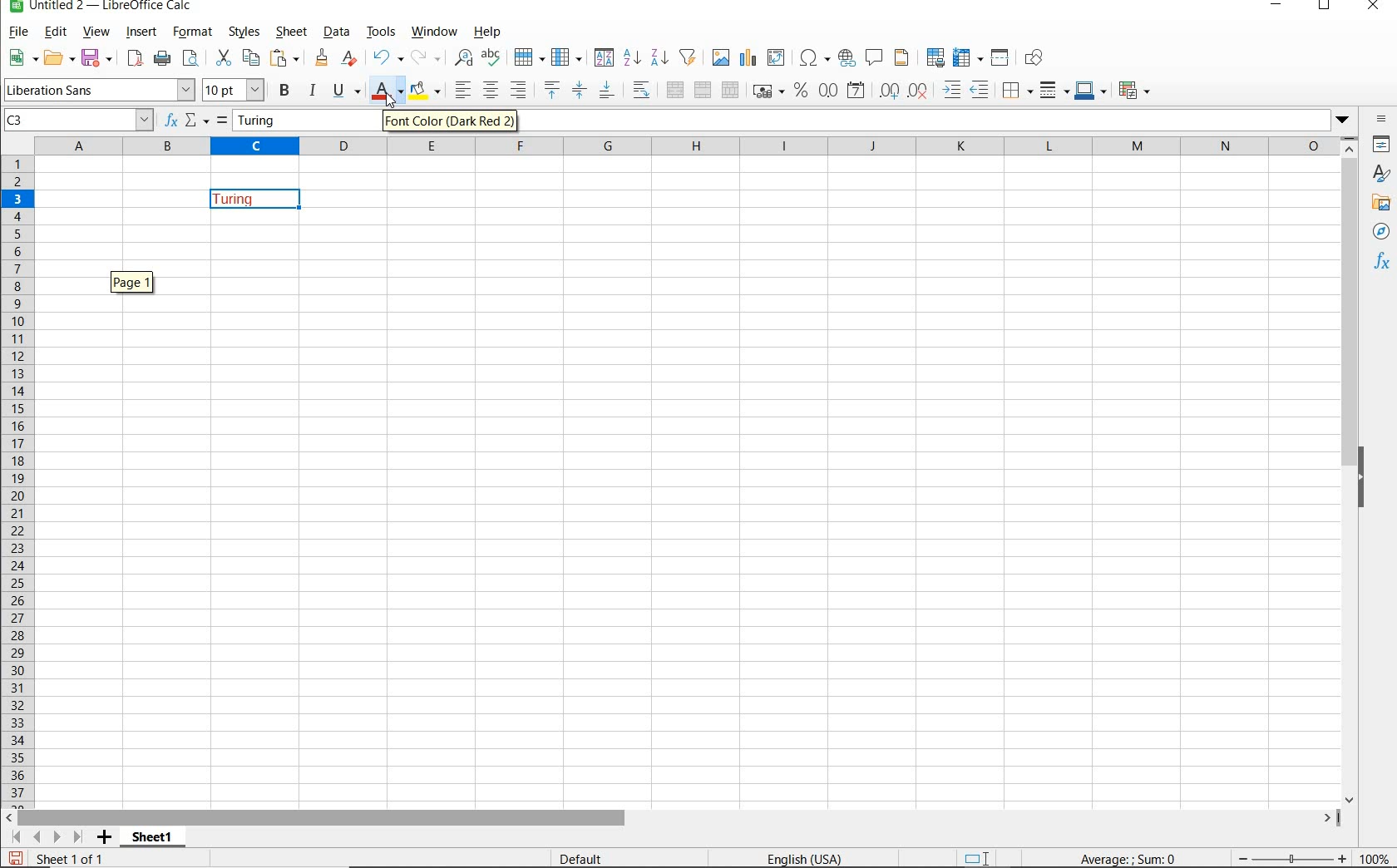 This screenshot has width=1397, height=868. I want to click on HELP, so click(490, 32).